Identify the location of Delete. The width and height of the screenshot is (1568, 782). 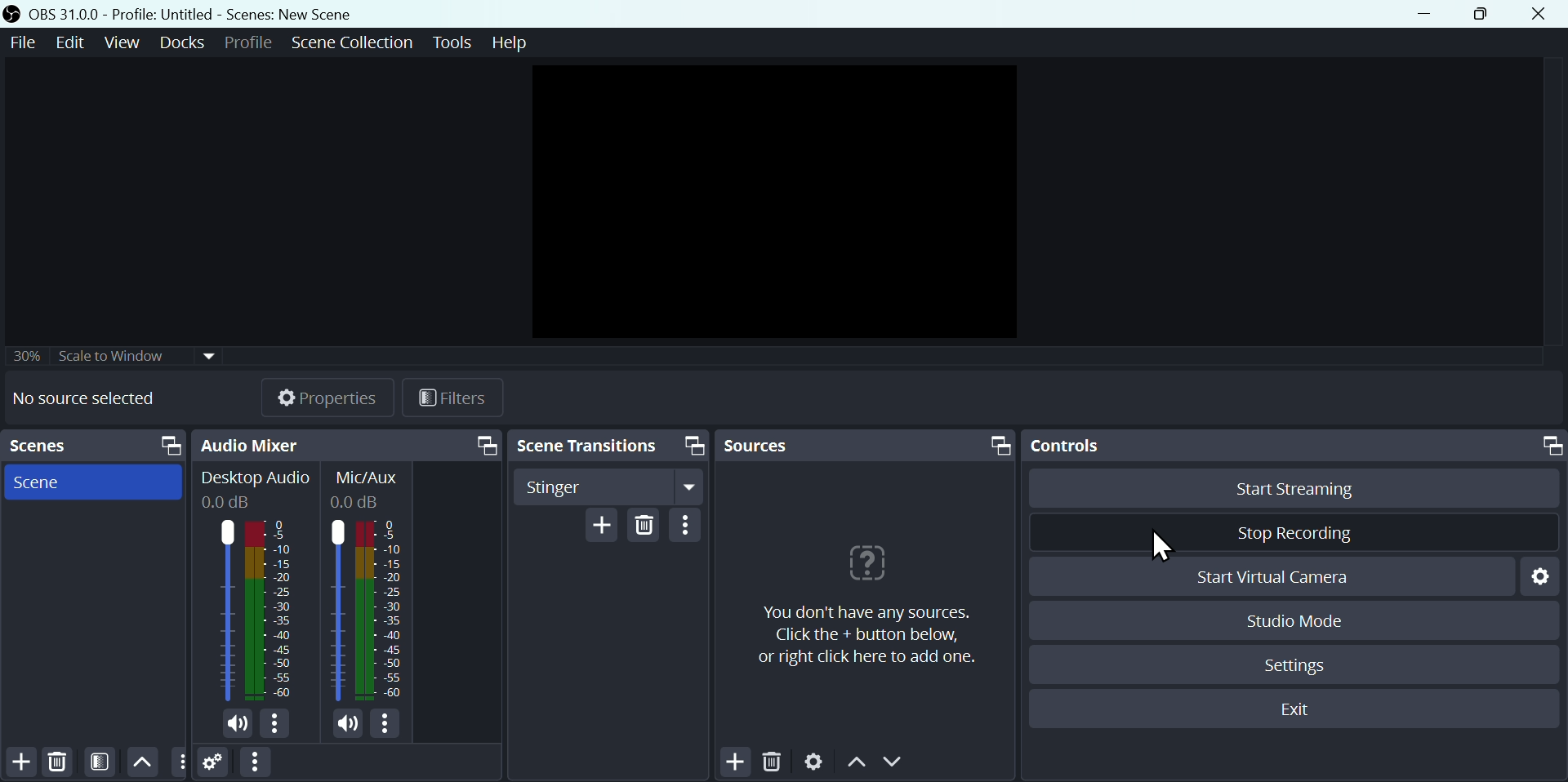
(646, 527).